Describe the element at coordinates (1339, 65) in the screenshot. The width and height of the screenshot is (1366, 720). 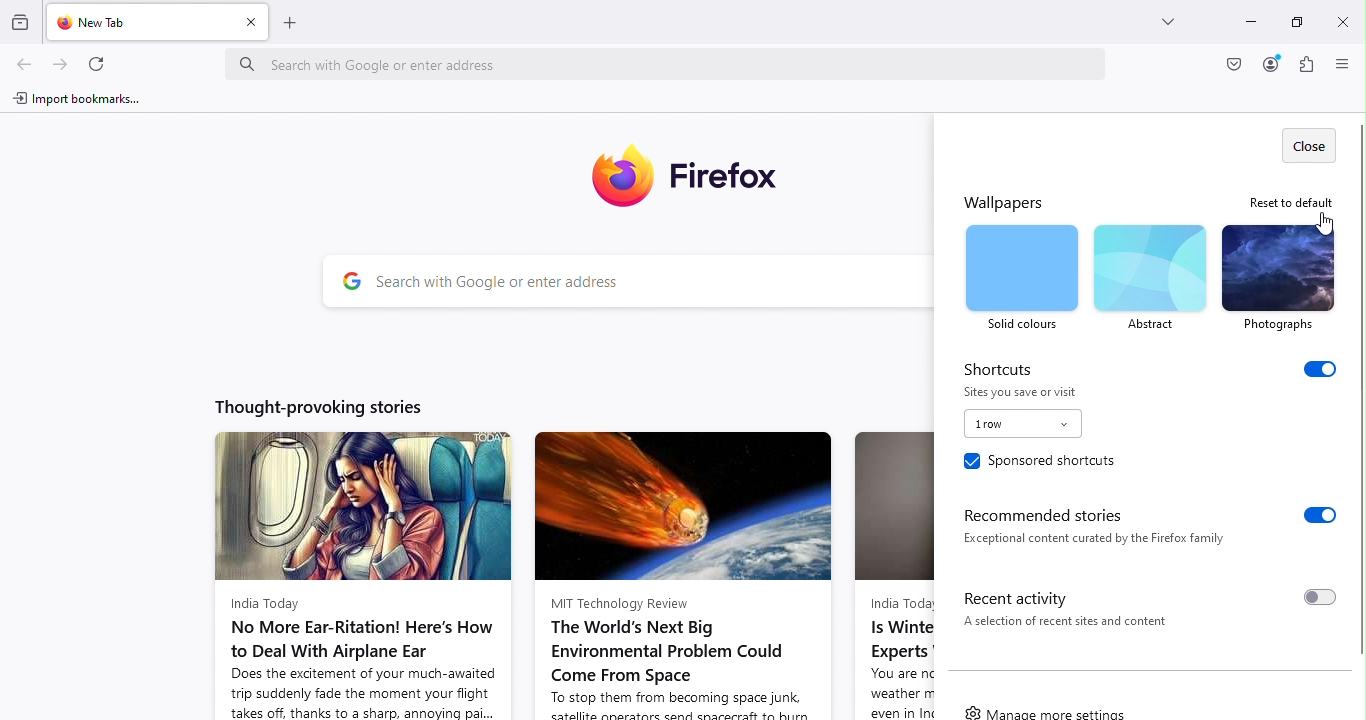
I see `Open application menu` at that location.